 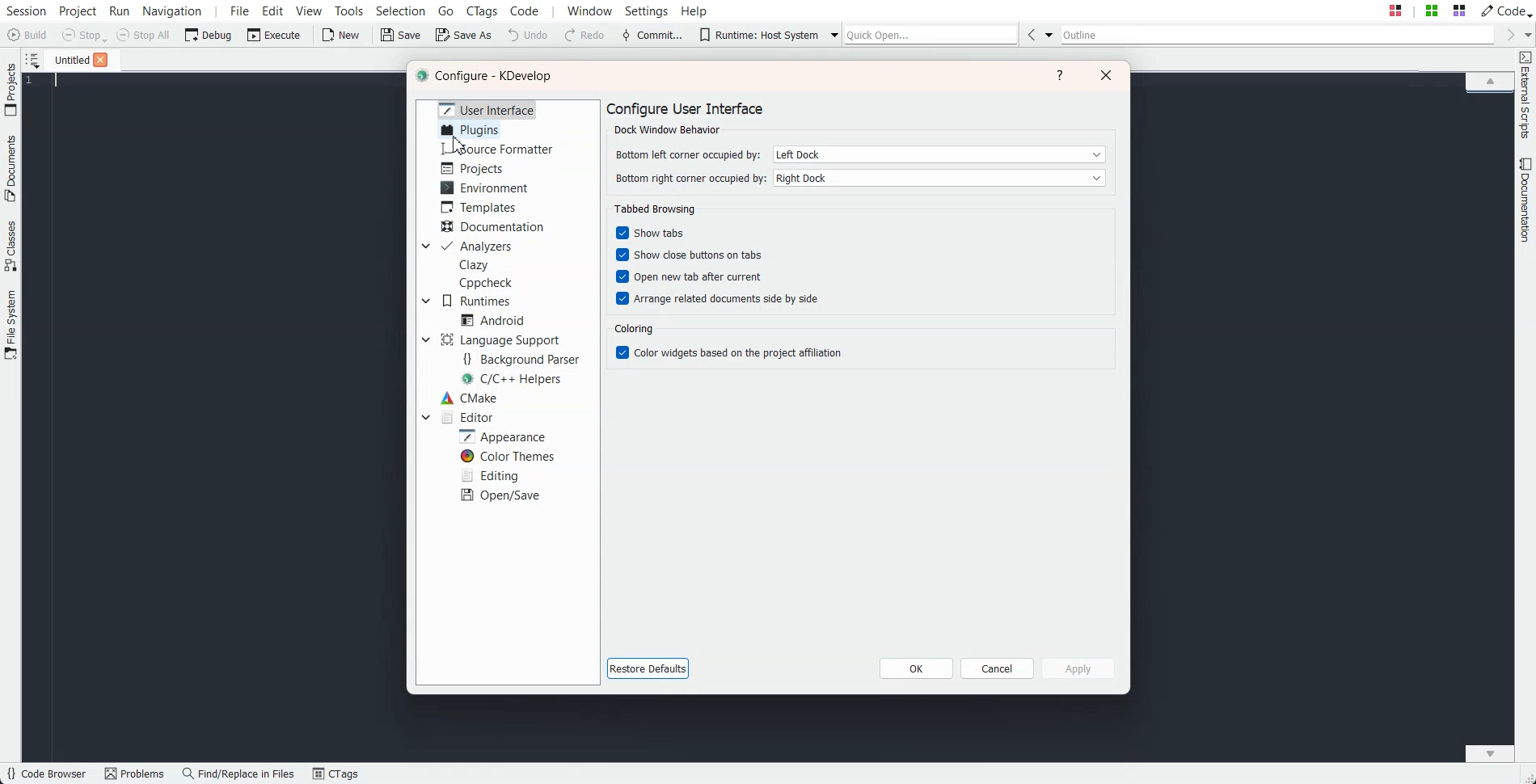 I want to click on Code Browser, so click(x=46, y=774).